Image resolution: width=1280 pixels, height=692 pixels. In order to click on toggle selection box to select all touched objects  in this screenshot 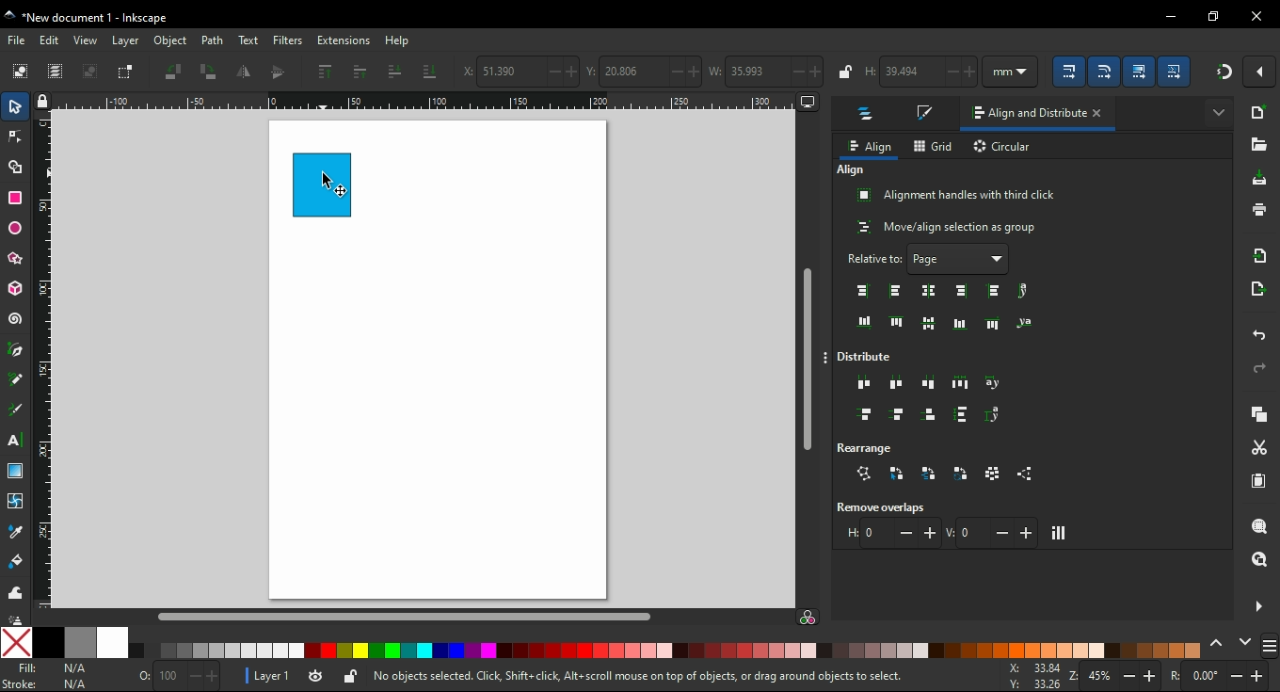, I will do `click(127, 73)`.